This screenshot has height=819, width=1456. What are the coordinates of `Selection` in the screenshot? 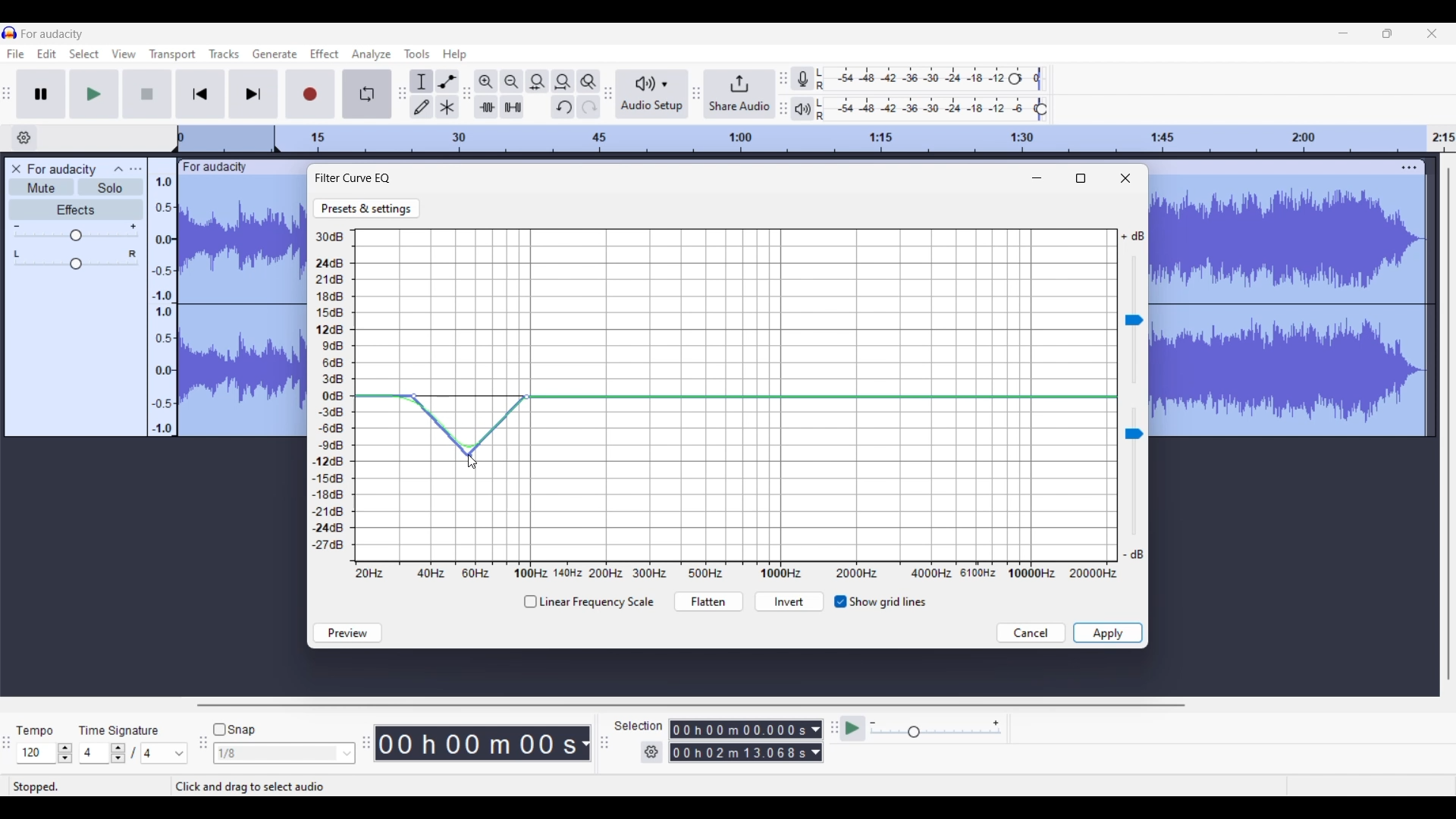 It's located at (639, 727).